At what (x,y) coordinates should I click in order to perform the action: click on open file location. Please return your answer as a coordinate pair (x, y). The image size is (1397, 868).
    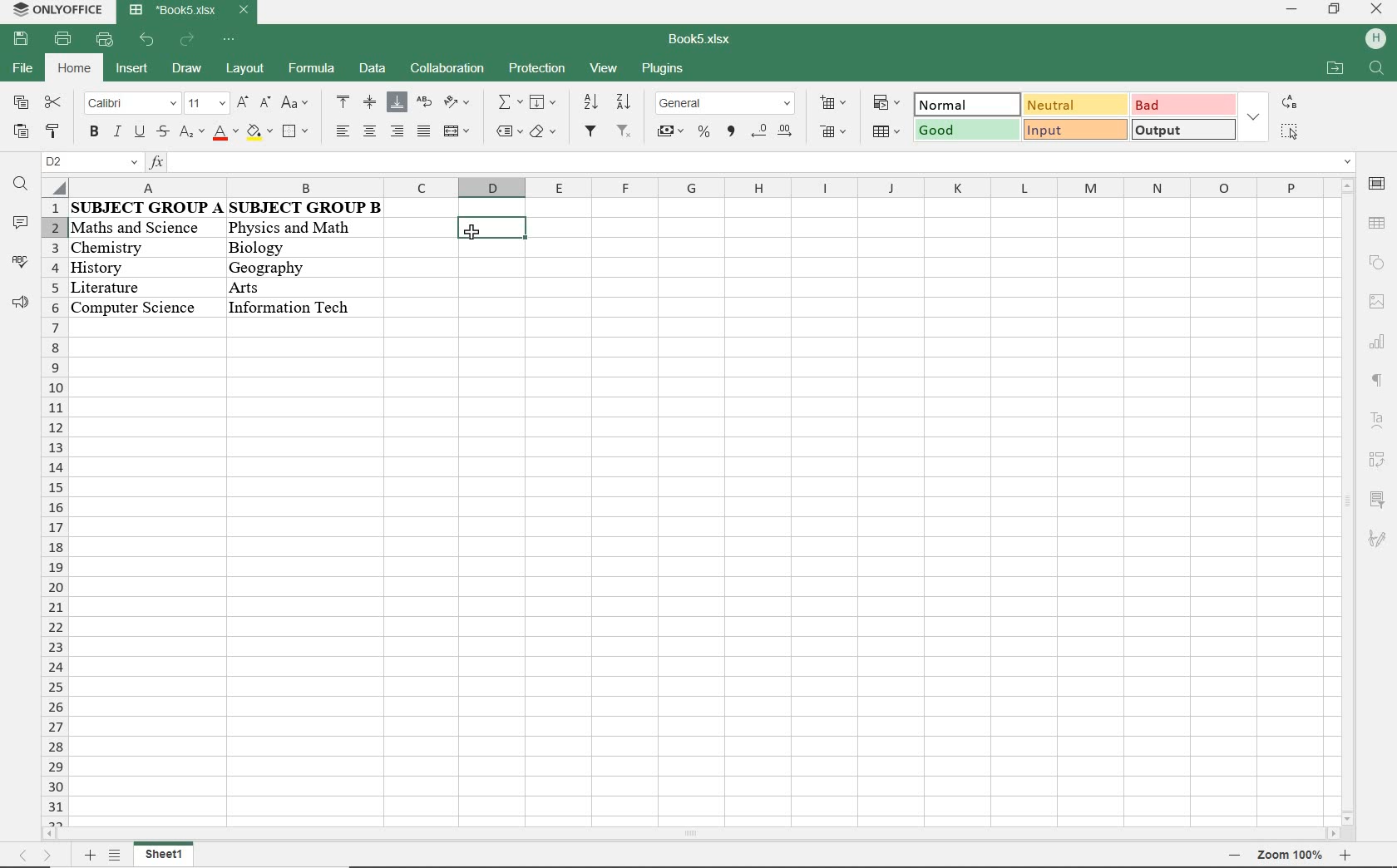
    Looking at the image, I should click on (1334, 67).